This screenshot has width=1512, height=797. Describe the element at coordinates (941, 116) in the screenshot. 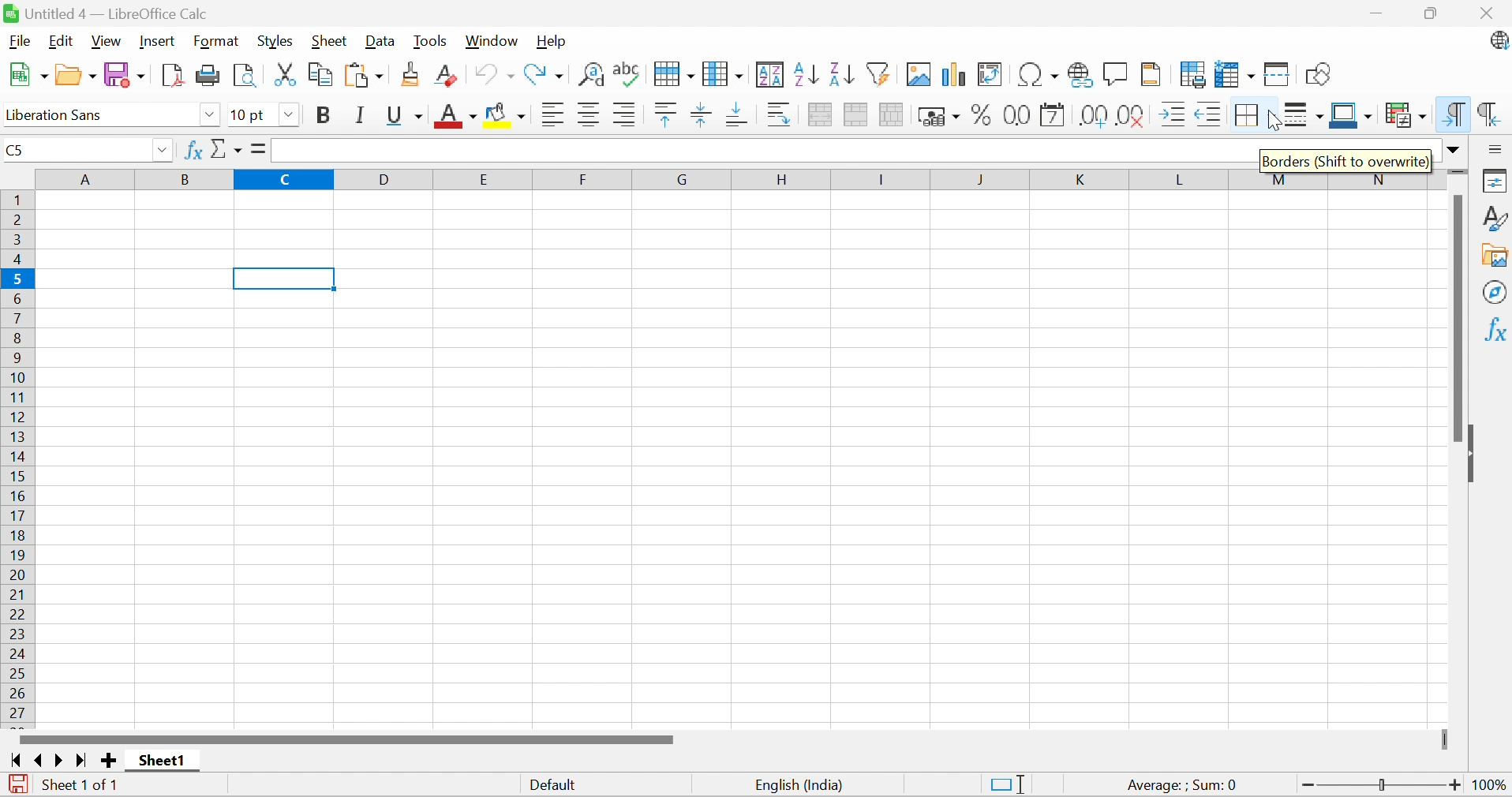

I see `Format as currency` at that location.